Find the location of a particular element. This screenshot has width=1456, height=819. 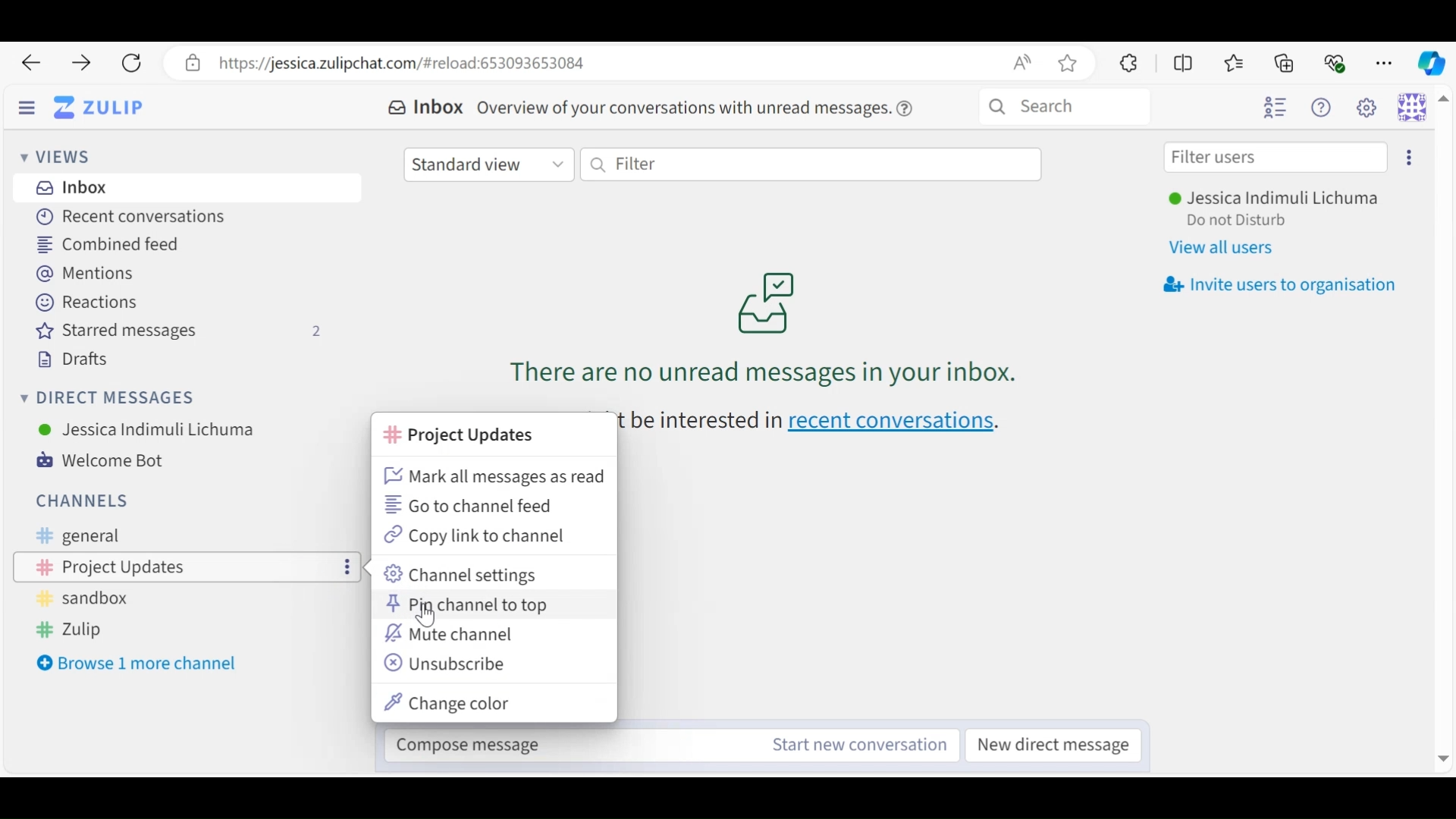

Welcome Bot is located at coordinates (110, 461).